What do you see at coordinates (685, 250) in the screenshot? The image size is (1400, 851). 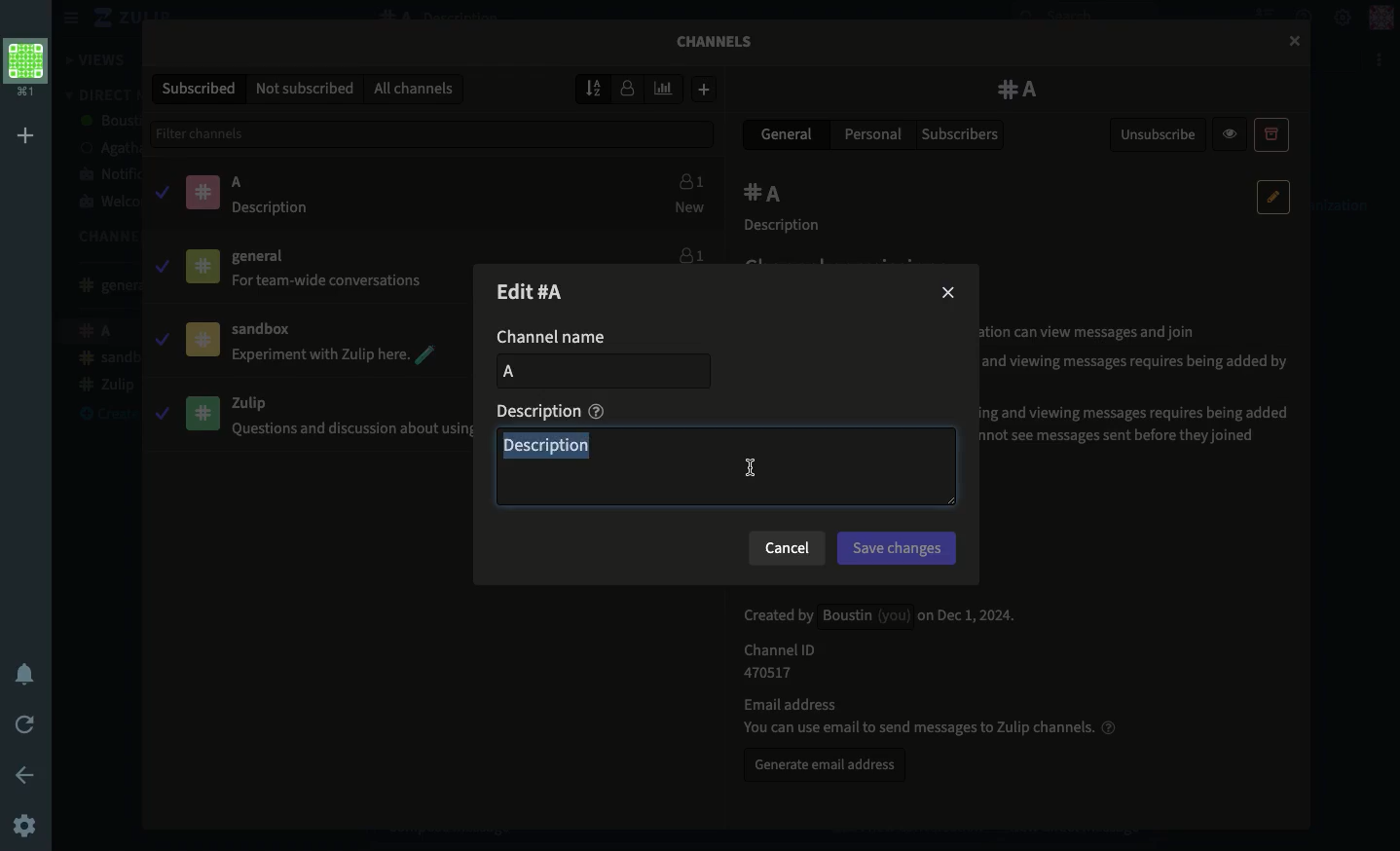 I see `Users` at bounding box center [685, 250].